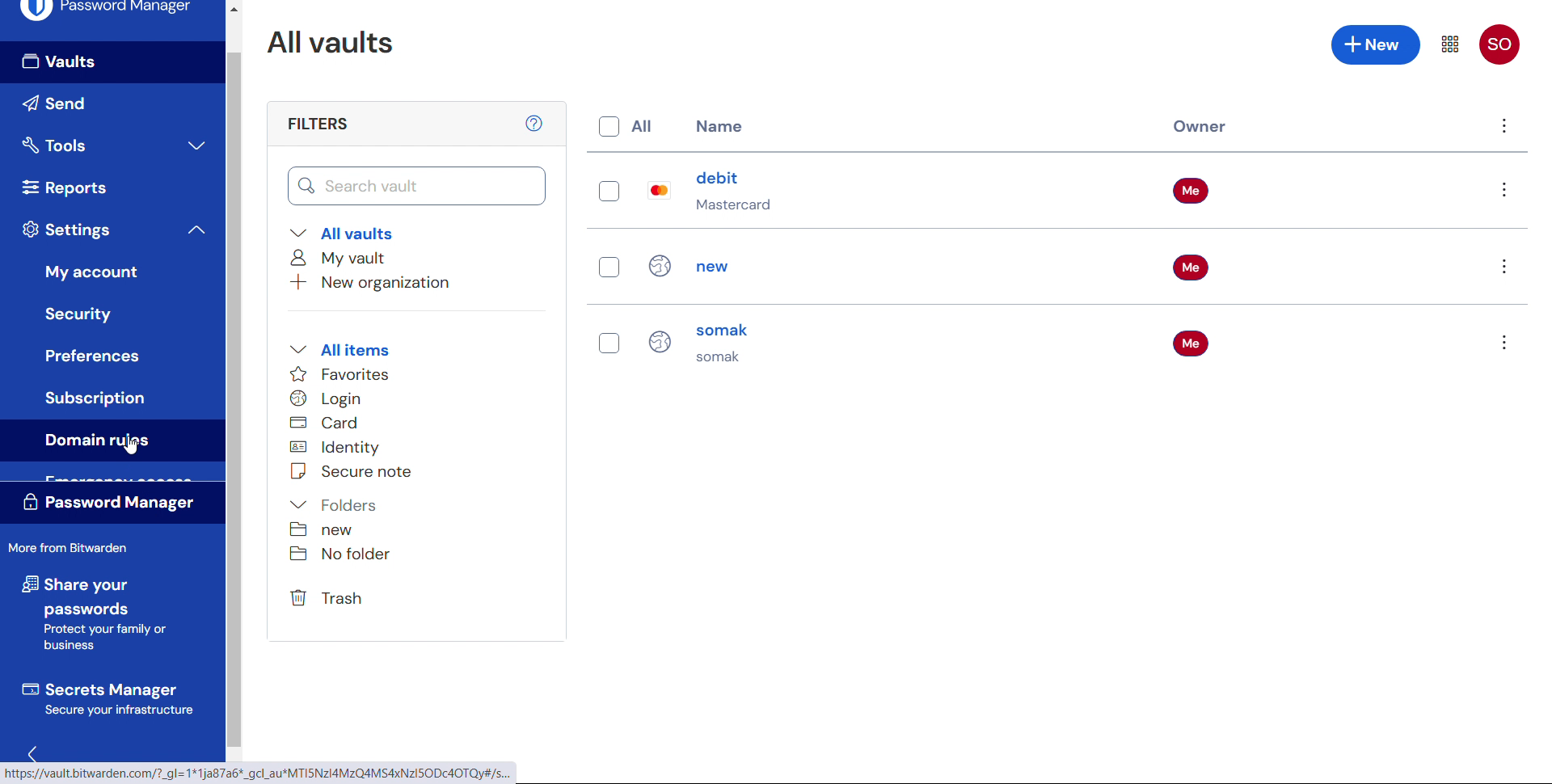 The image size is (1552, 784). I want to click on Secrets manager Secure your infrastructure, so click(106, 701).